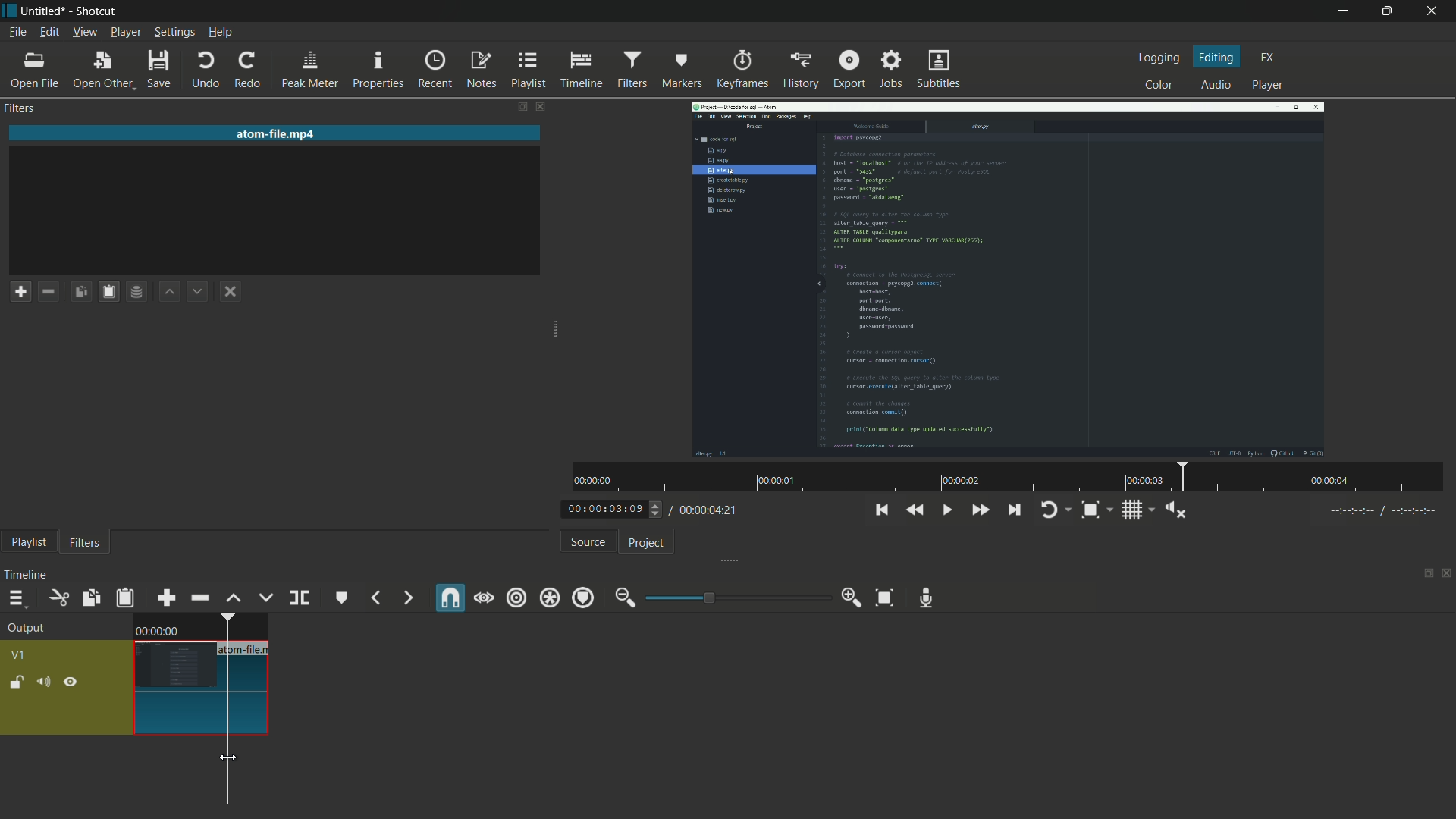  I want to click on zoom out, so click(625, 595).